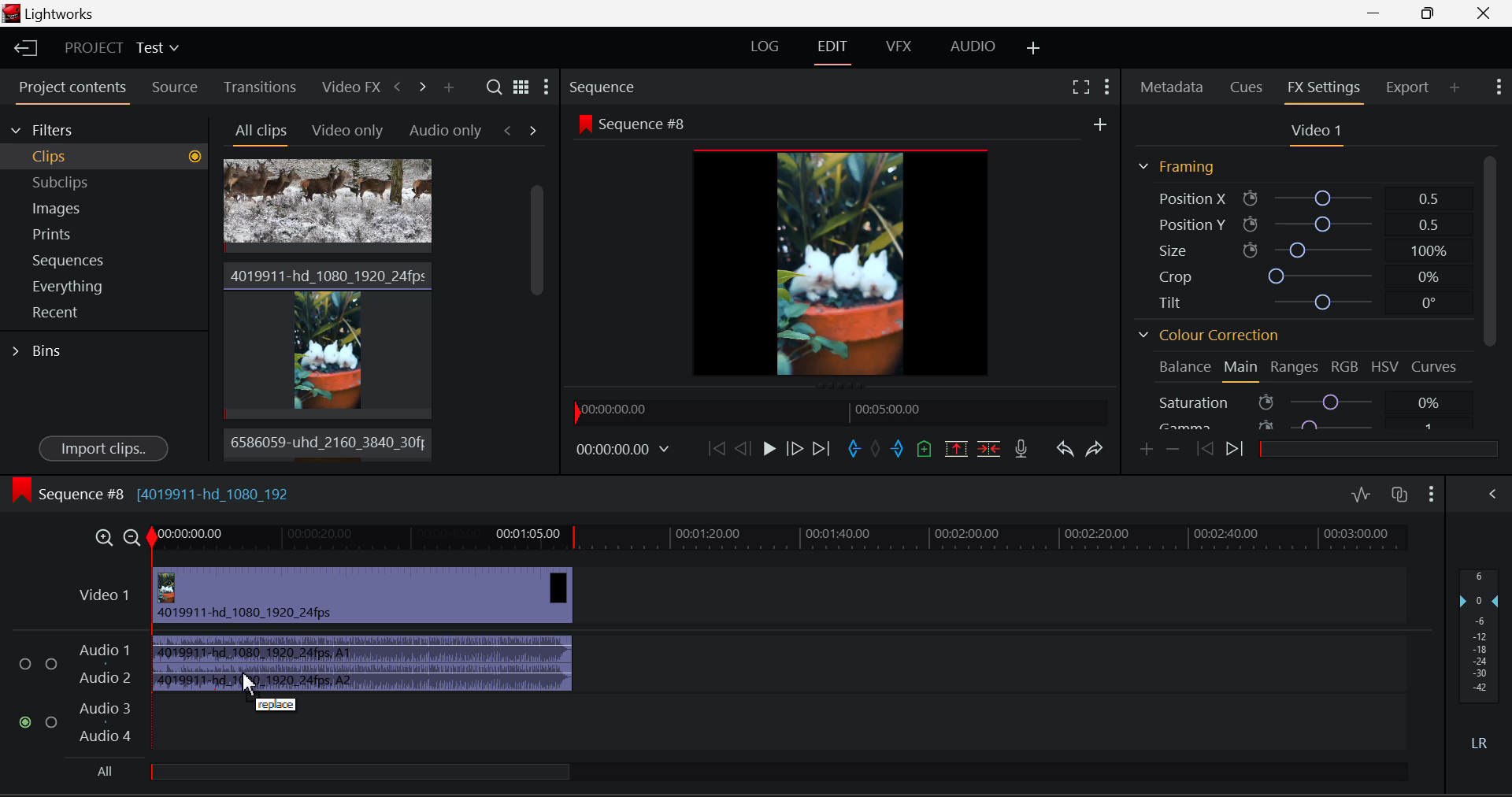 The image size is (1512, 797). Describe the element at coordinates (548, 85) in the screenshot. I see `Show Settings` at that location.